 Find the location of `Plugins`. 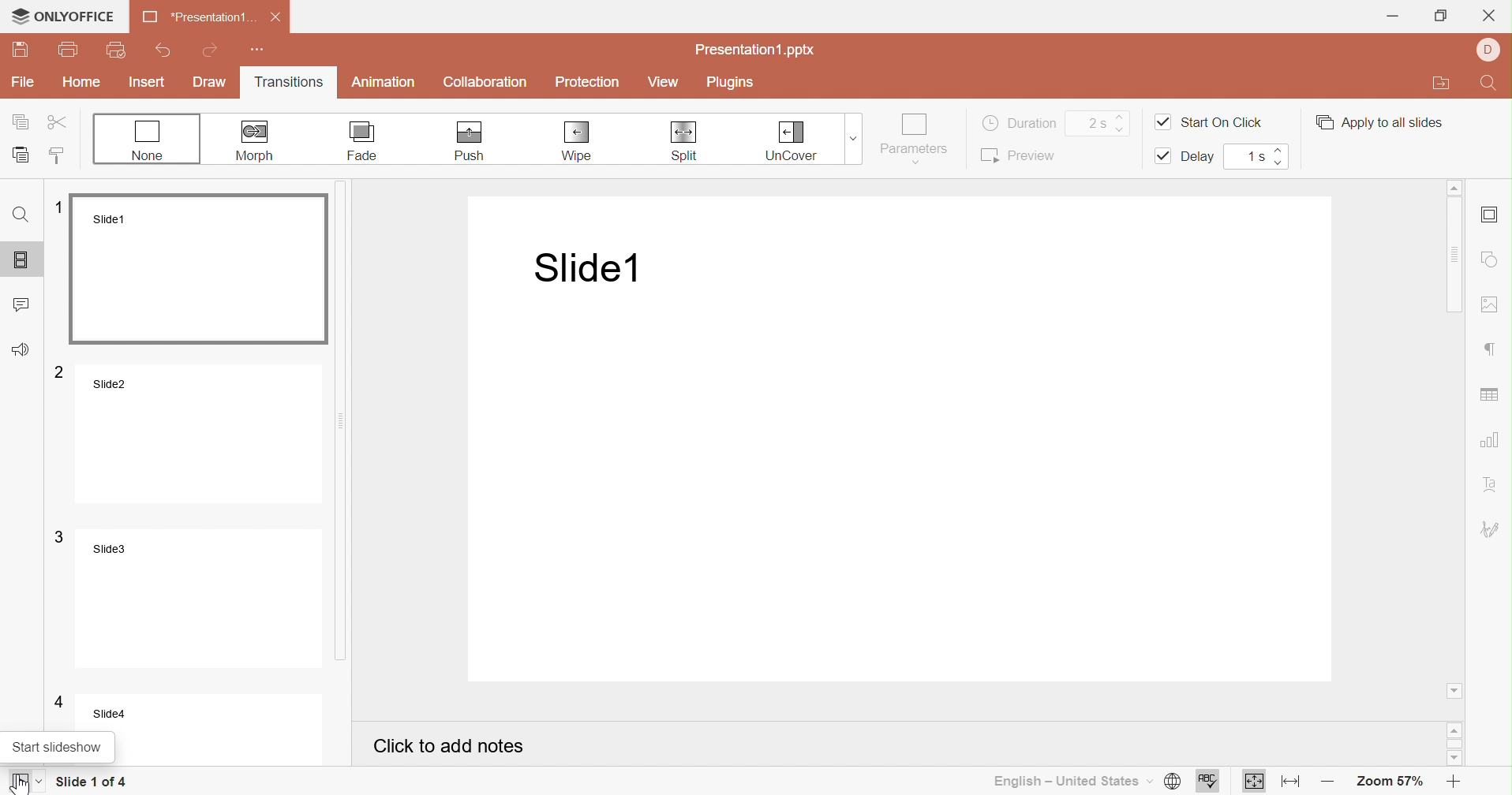

Plugins is located at coordinates (731, 83).